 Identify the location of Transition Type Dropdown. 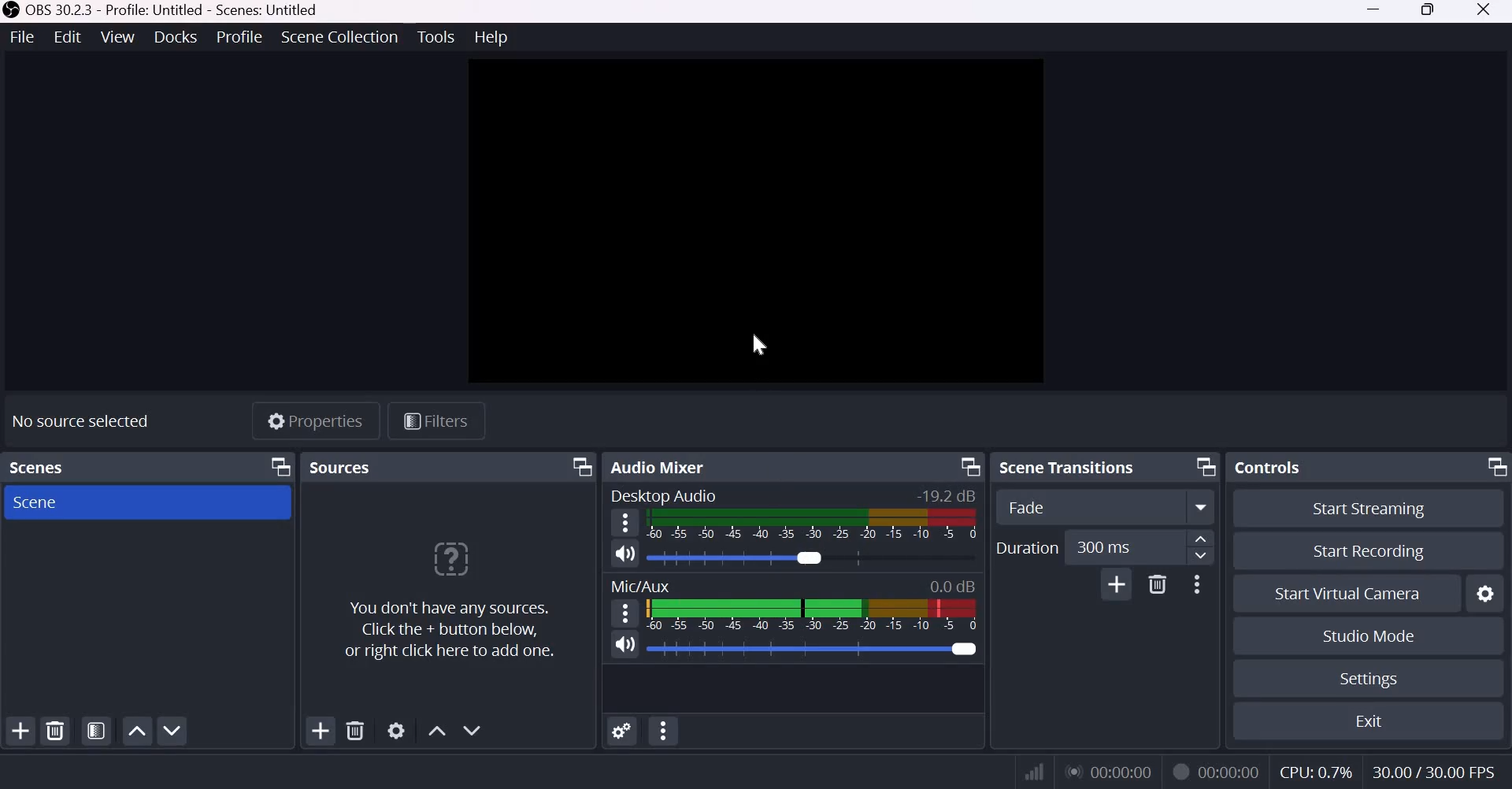
(1089, 506).